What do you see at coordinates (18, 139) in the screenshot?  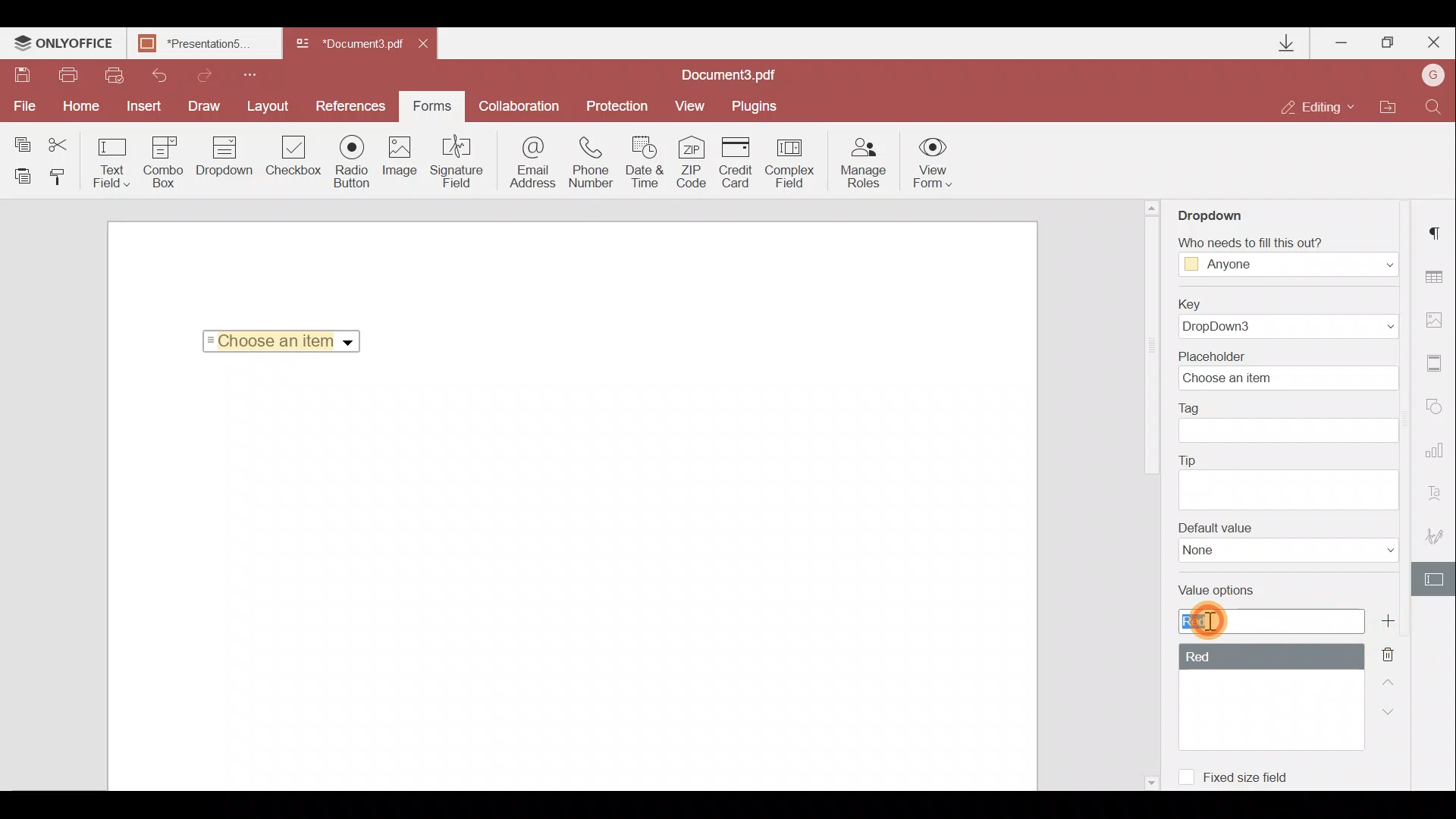 I see `Copy` at bounding box center [18, 139].